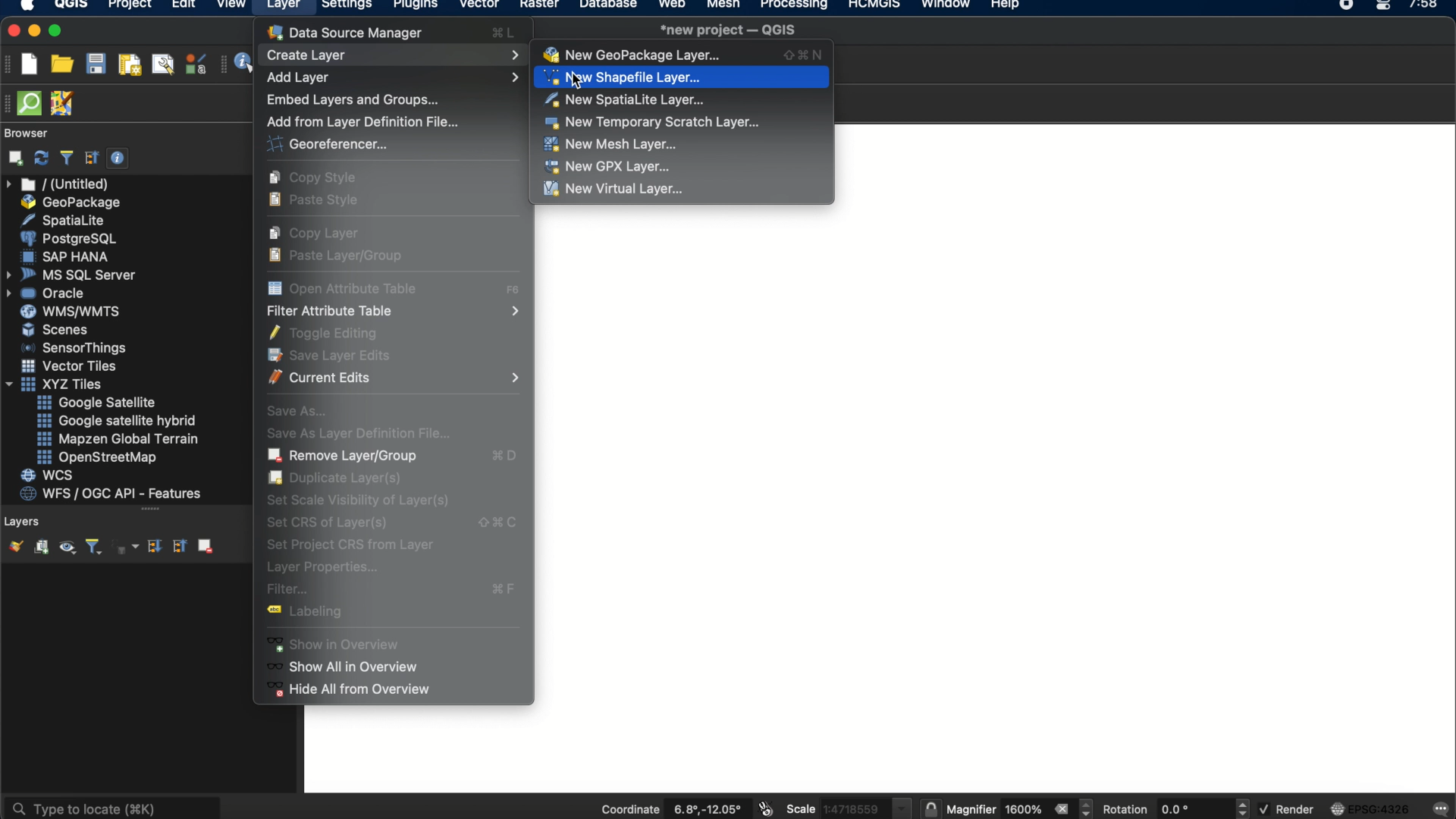 This screenshot has height=819, width=1456. I want to click on cursor, so click(576, 82).